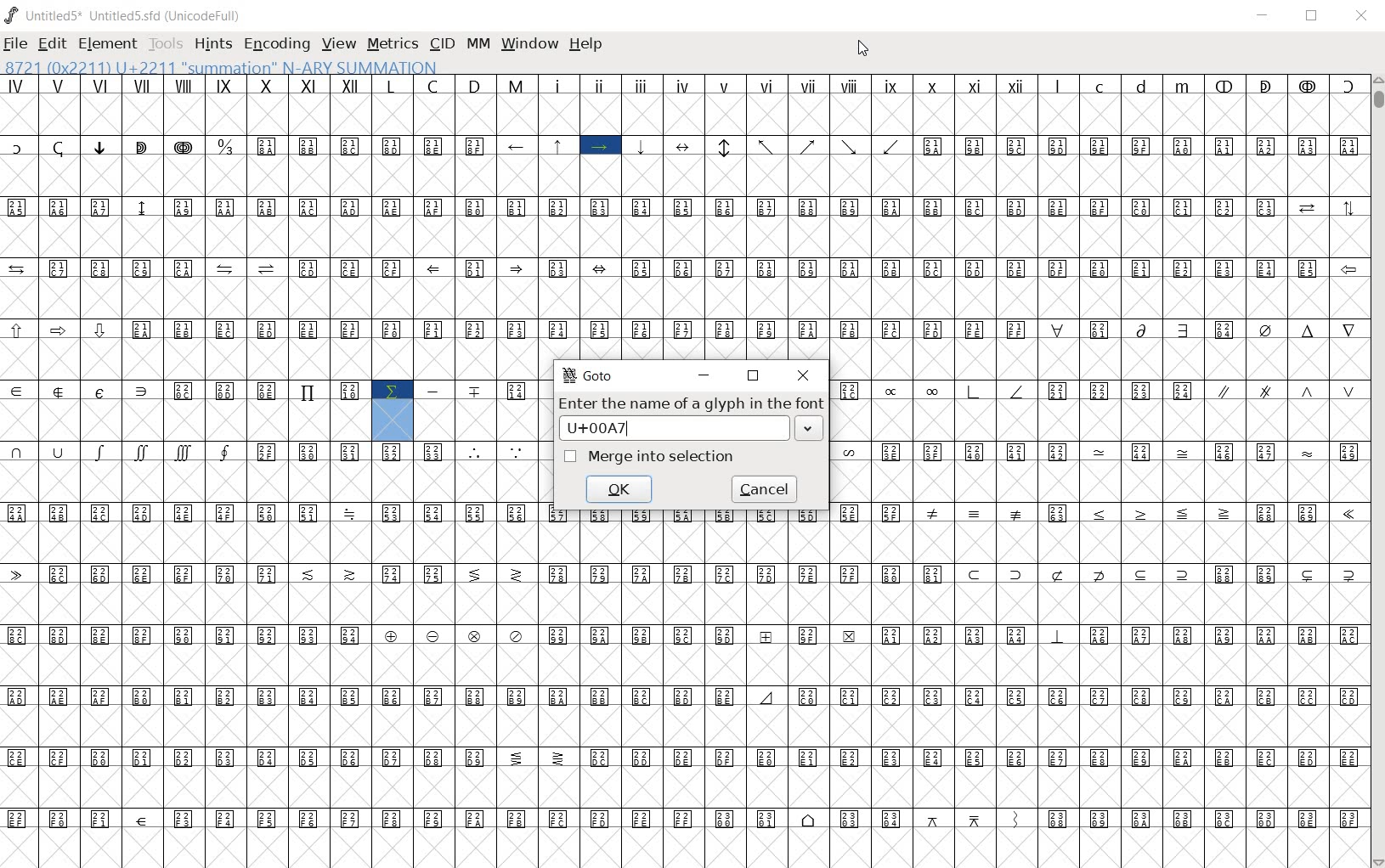 The image size is (1385, 868). Describe the element at coordinates (460, 84) in the screenshot. I see ` capital letters L C D M` at that location.